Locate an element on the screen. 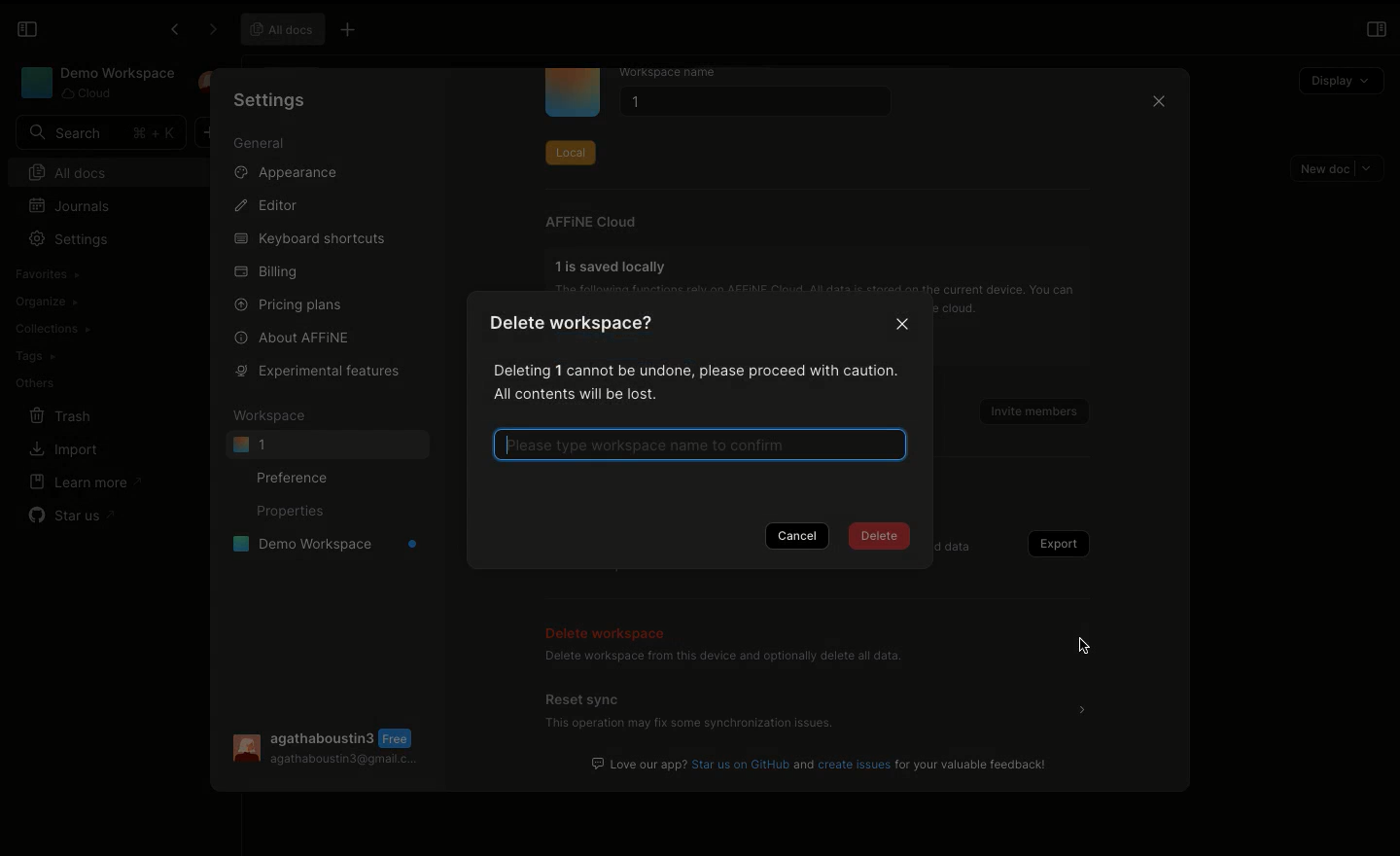 The height and width of the screenshot is (856, 1400). All docs is located at coordinates (115, 170).